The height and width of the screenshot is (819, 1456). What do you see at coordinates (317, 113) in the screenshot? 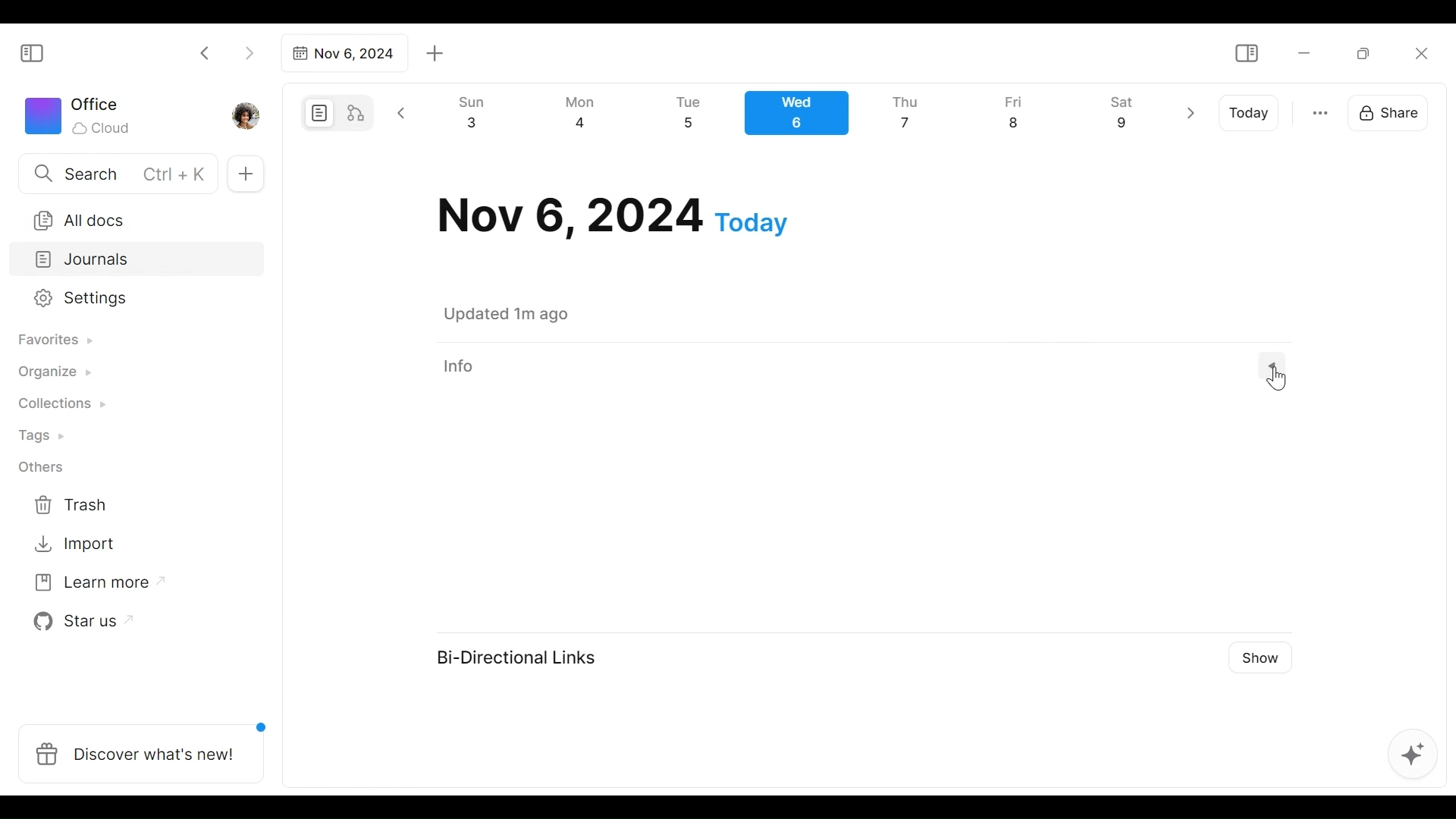
I see `Page mode` at bounding box center [317, 113].